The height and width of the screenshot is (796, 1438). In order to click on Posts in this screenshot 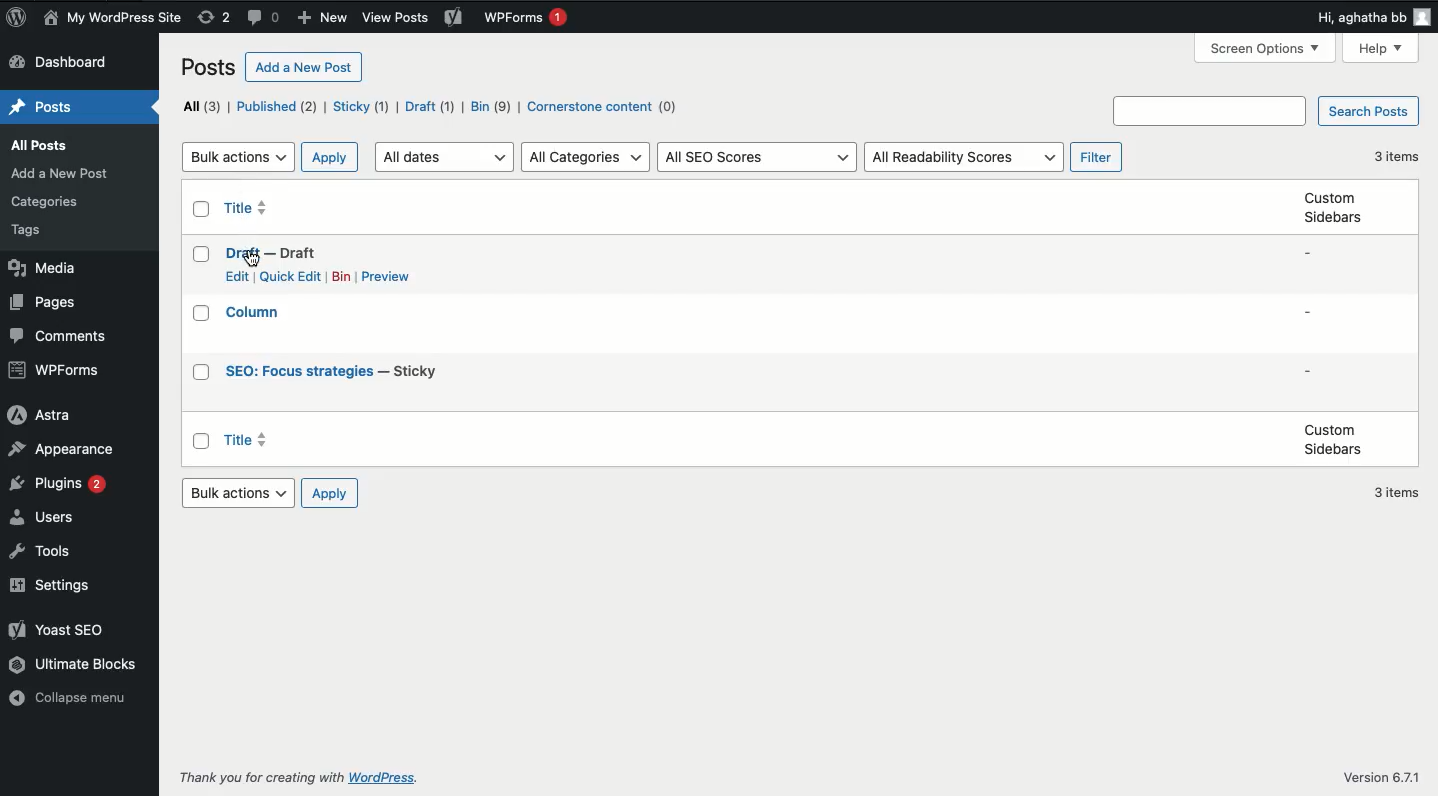, I will do `click(49, 200)`.